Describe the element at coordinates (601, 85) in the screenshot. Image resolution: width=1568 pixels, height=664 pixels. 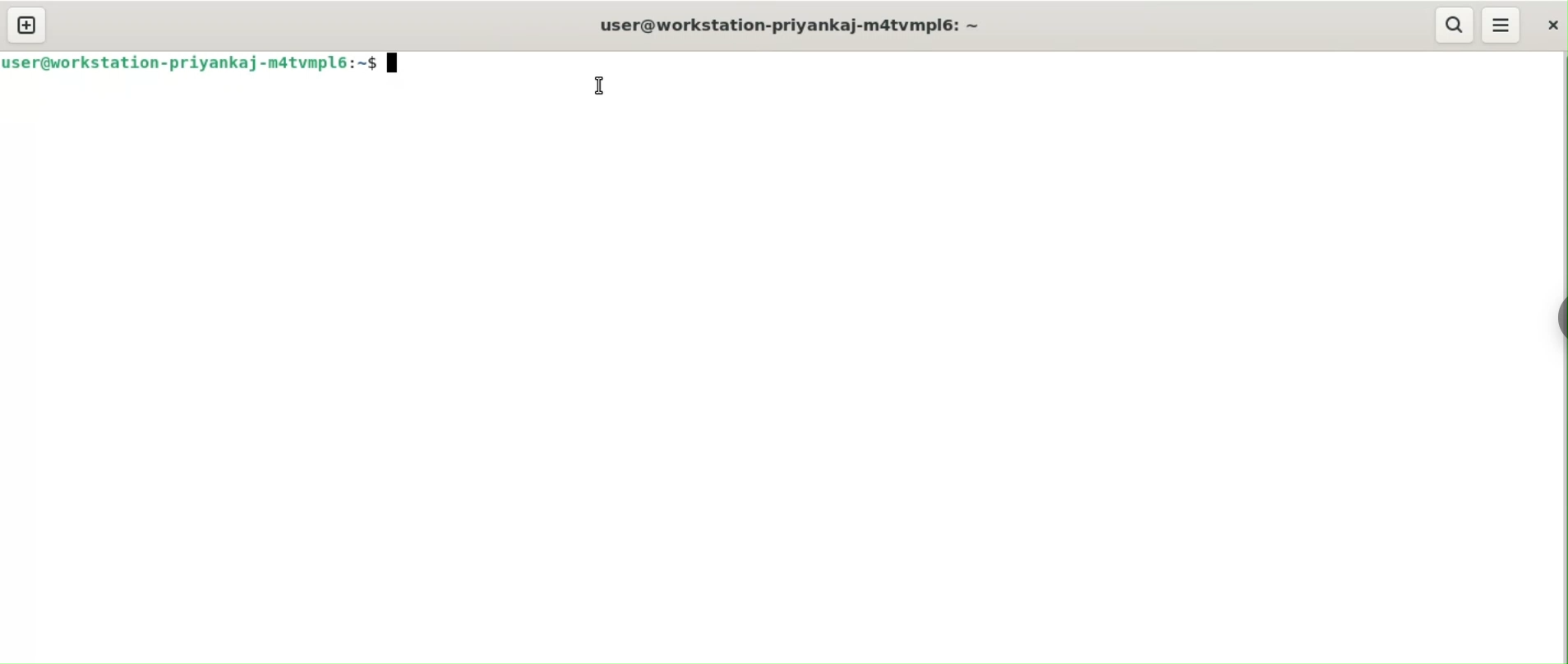
I see `cursor` at that location.